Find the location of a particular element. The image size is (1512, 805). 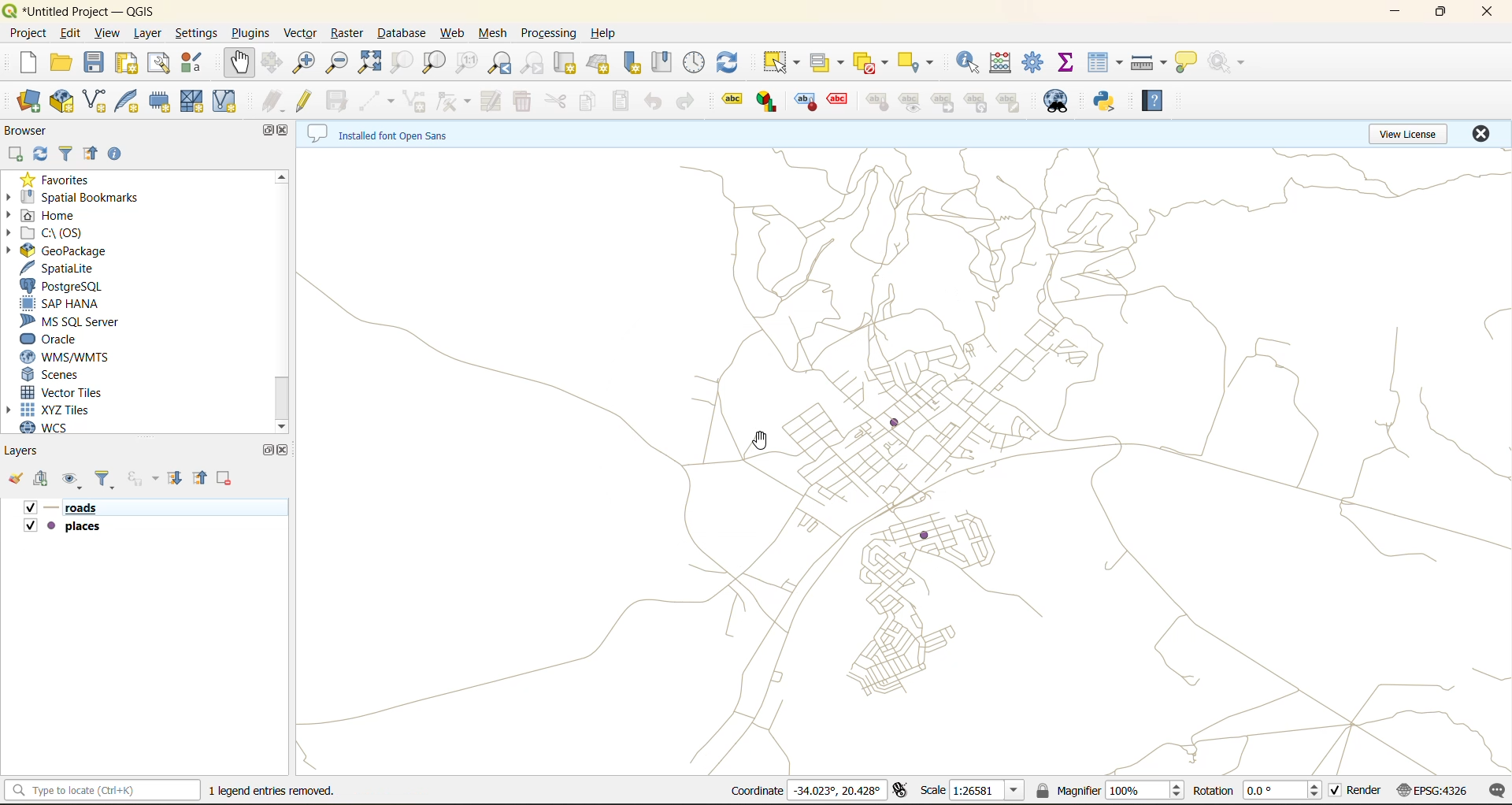

postgresql is located at coordinates (61, 288).